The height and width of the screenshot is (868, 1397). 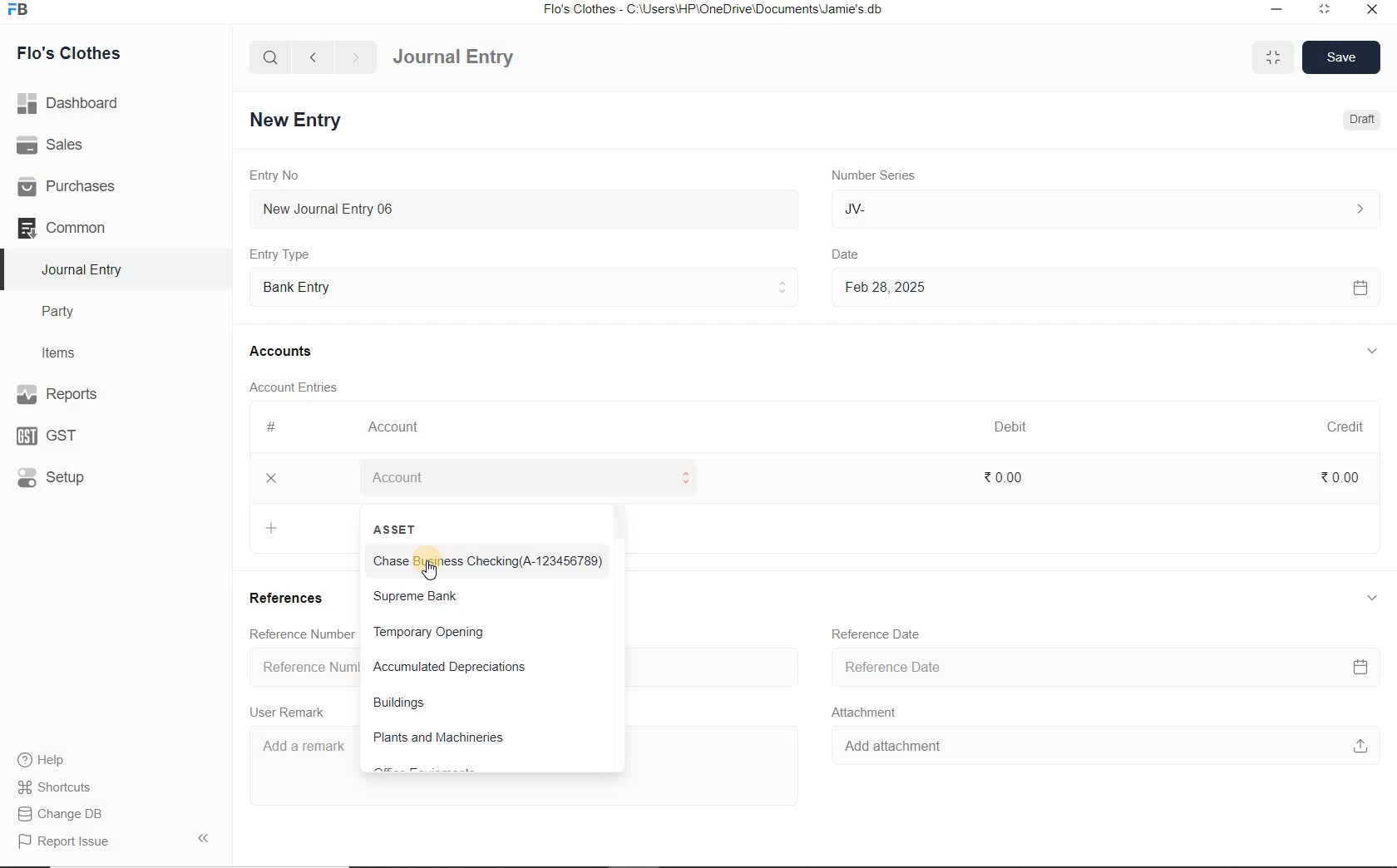 I want to click on collapse, so click(x=1370, y=597).